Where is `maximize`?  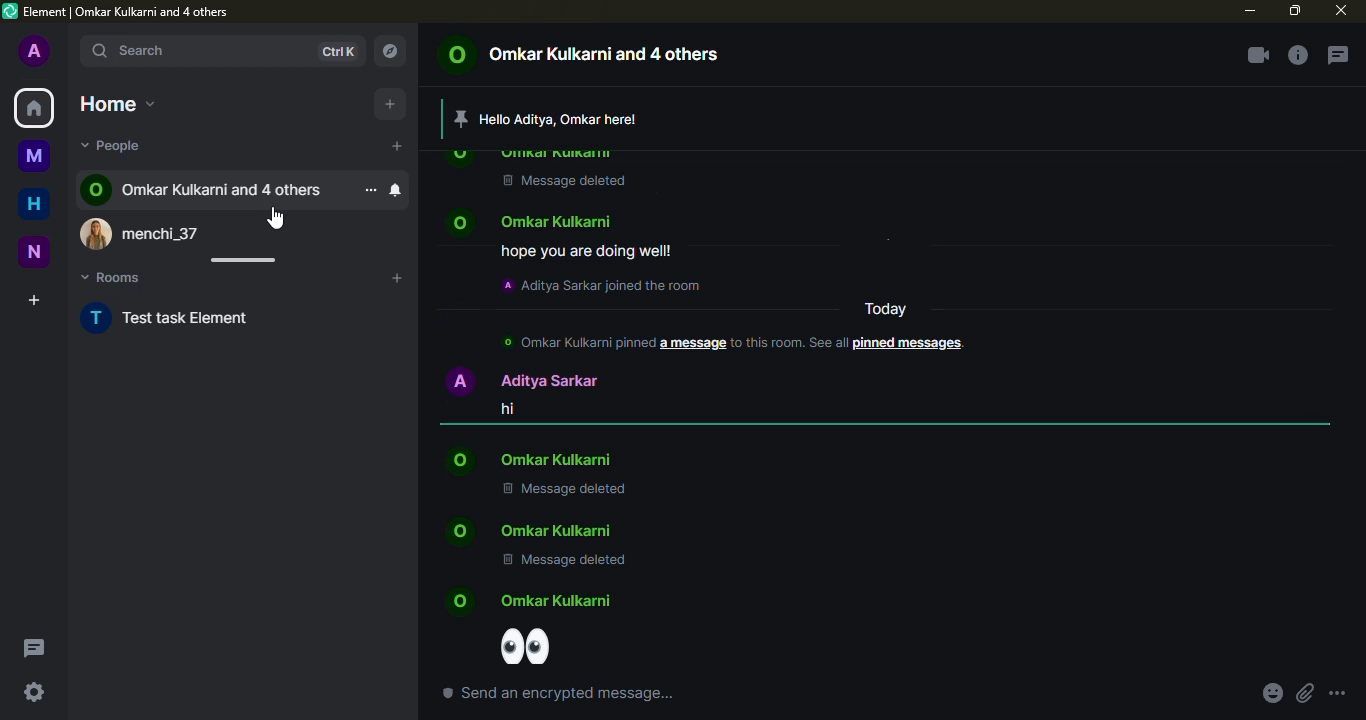
maximize is located at coordinates (1293, 11).